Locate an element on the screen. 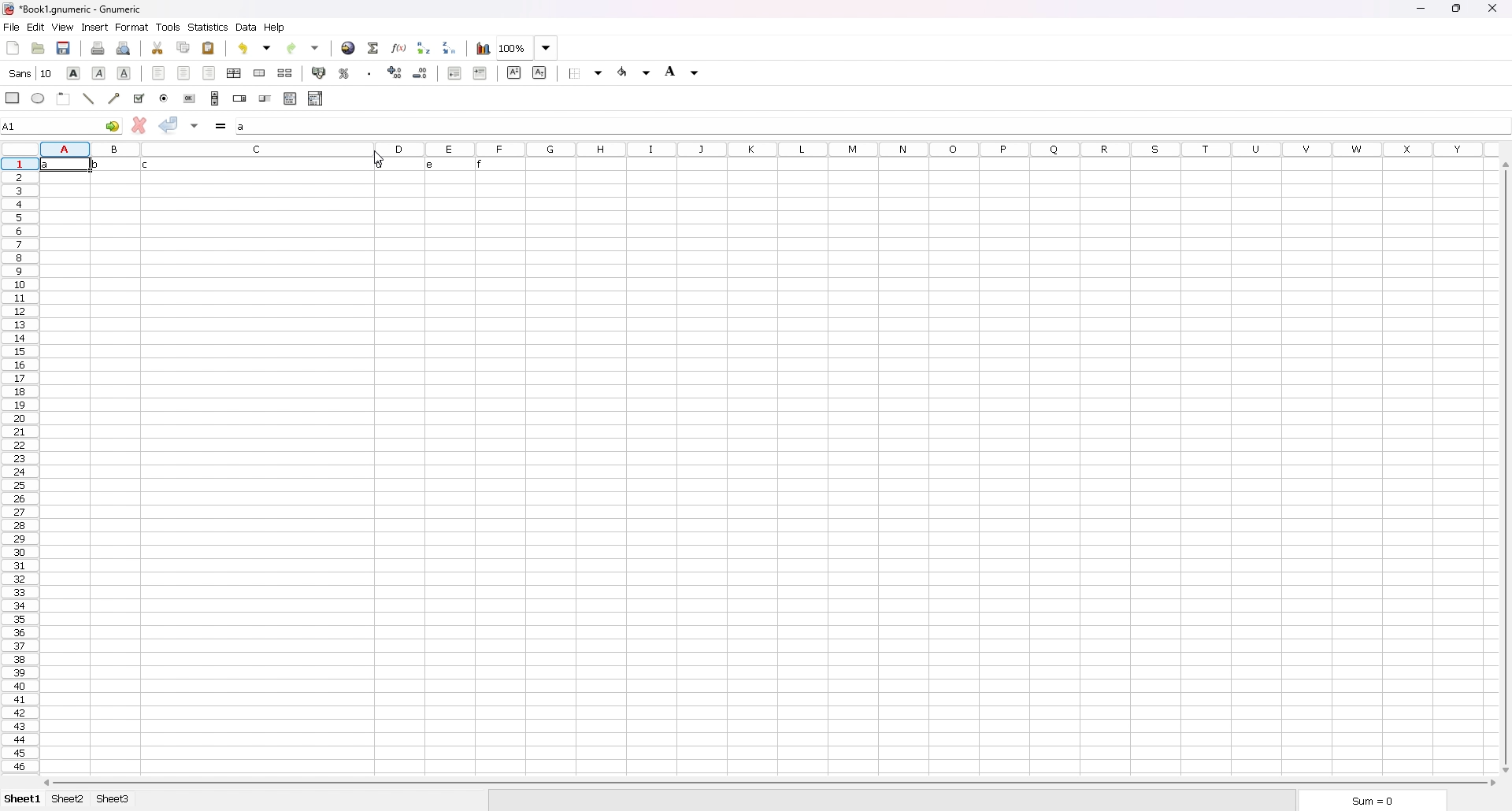  merge cells is located at coordinates (261, 72).